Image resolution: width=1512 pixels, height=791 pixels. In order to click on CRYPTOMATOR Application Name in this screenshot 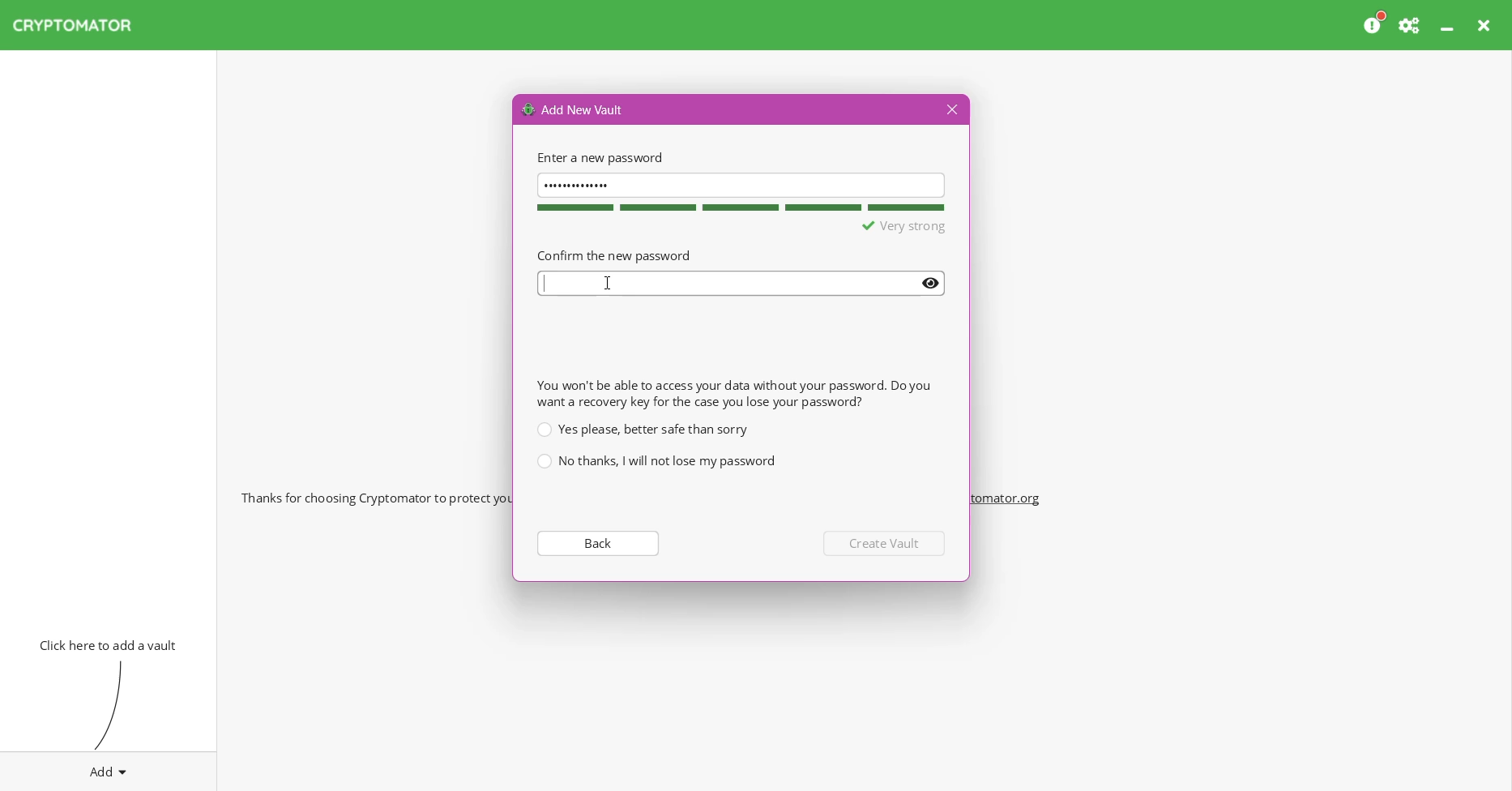, I will do `click(80, 25)`.